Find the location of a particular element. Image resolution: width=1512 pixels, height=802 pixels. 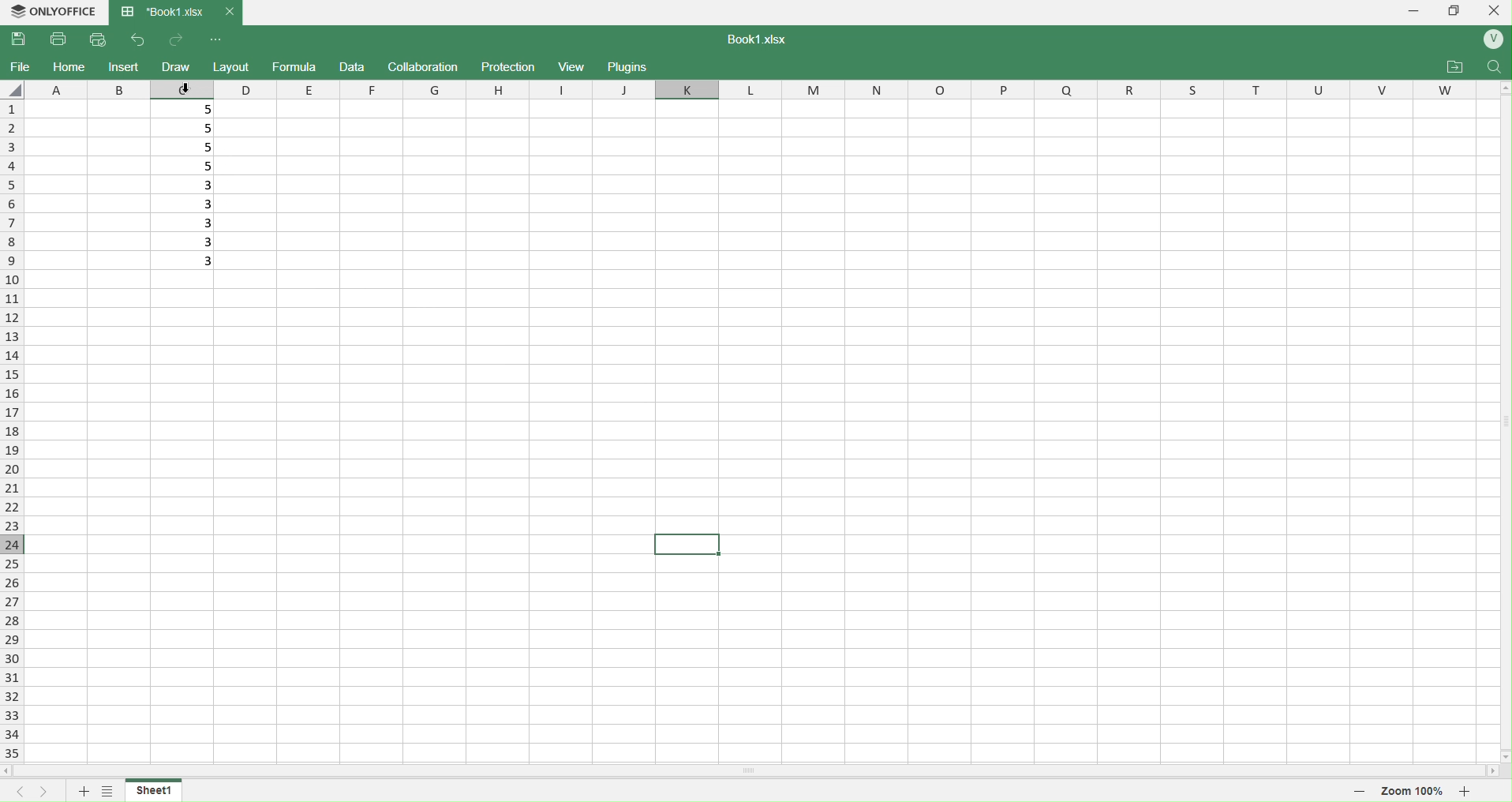

Quick Print is located at coordinates (98, 39).